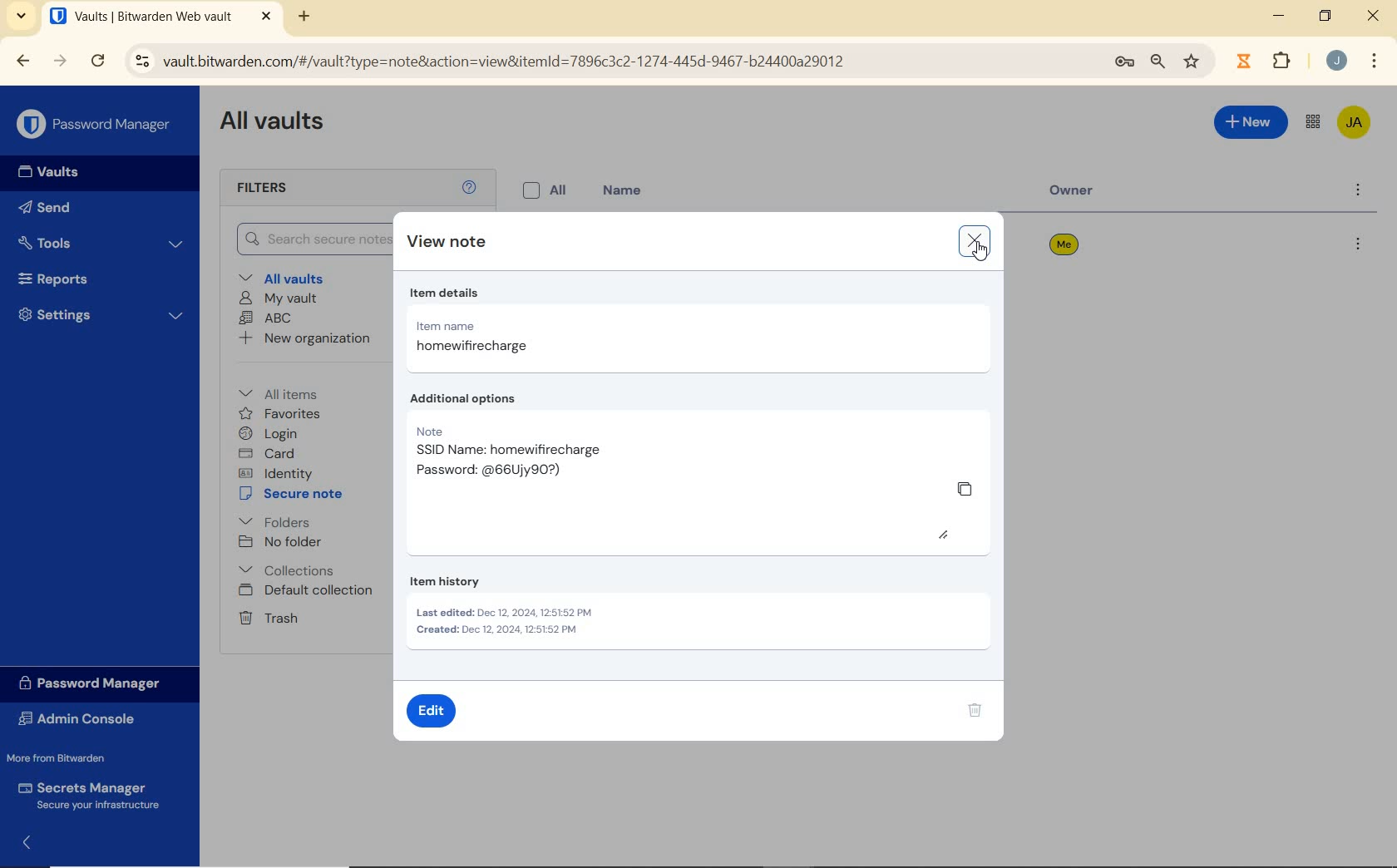  Describe the element at coordinates (22, 846) in the screenshot. I see `expand/collapse` at that location.